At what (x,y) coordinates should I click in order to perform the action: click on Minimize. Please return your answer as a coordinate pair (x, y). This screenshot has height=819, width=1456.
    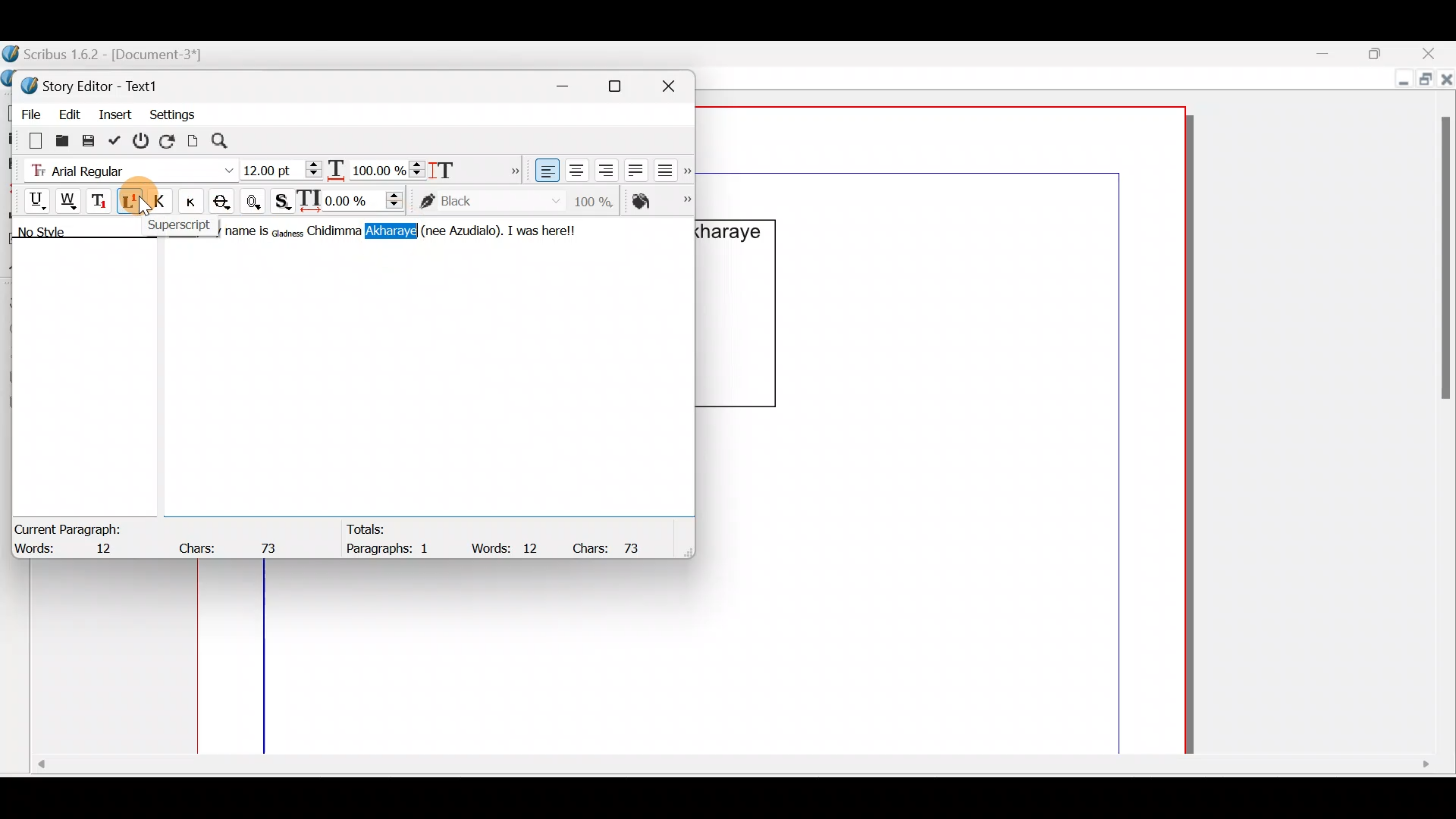
    Looking at the image, I should click on (1400, 81).